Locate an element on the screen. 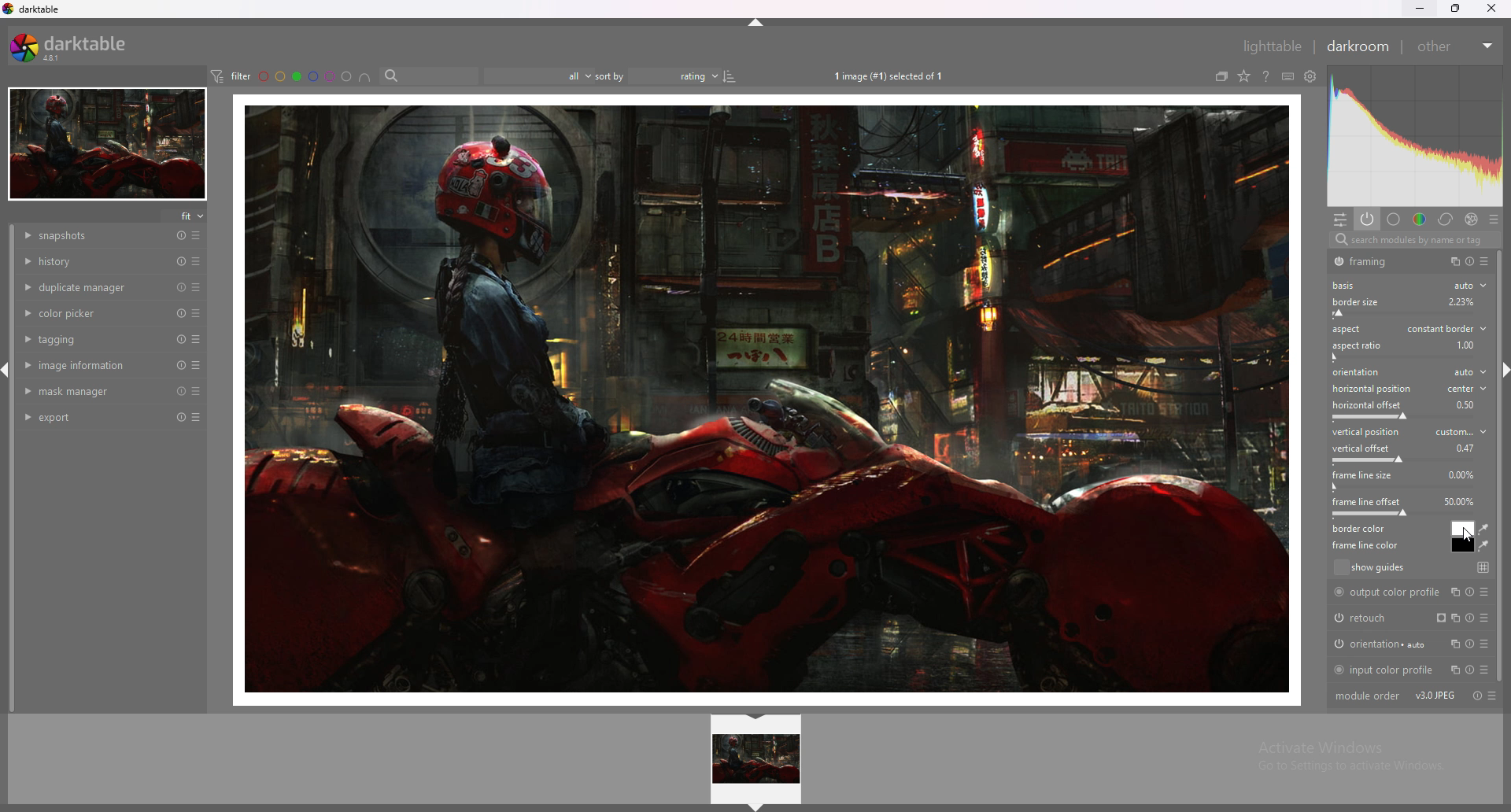 The width and height of the screenshot is (1511, 812). see online help is located at coordinates (1266, 76).